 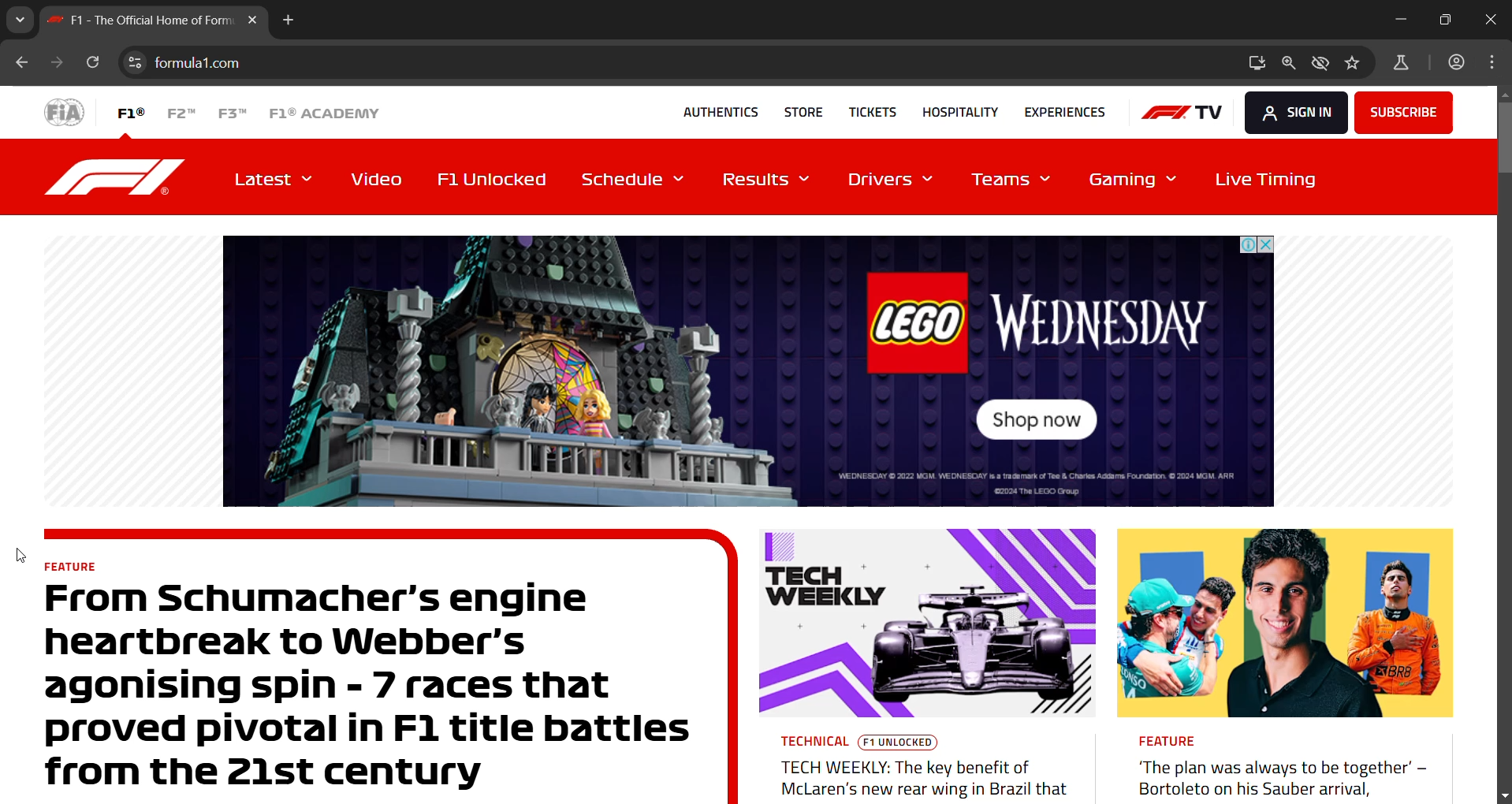 I want to click on Drivers , so click(x=892, y=181).